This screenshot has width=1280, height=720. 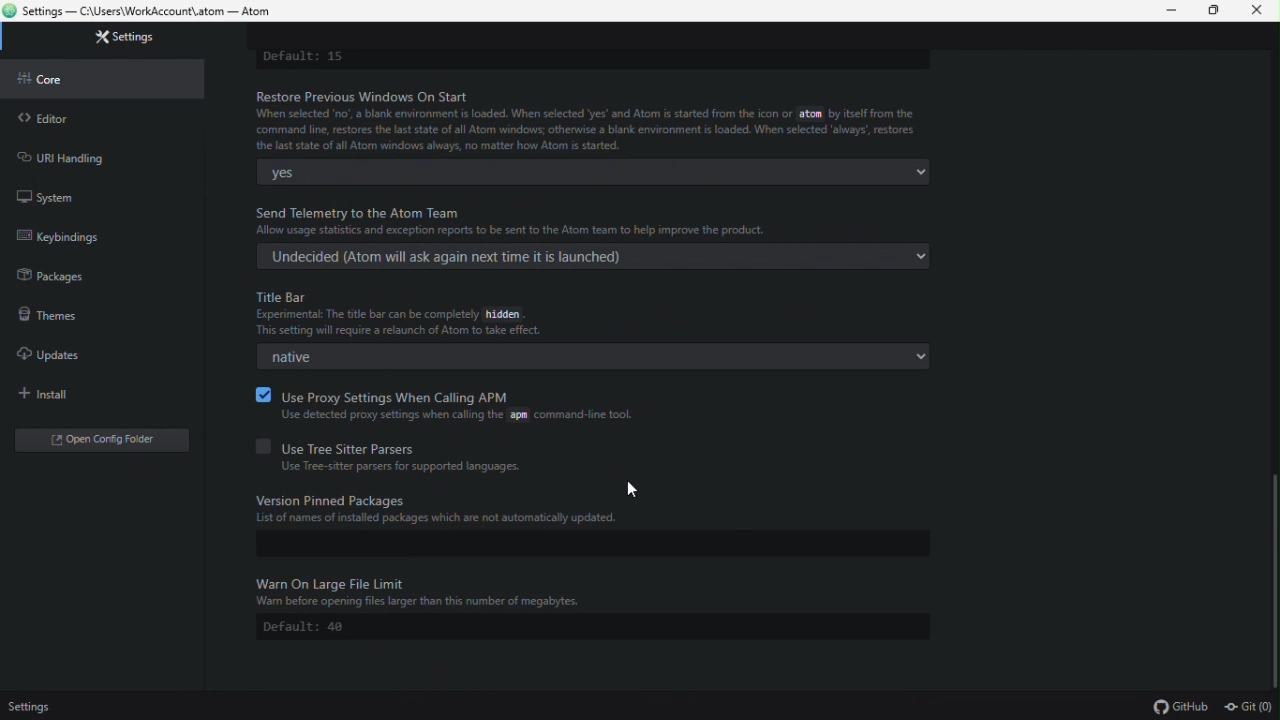 I want to click on packages, so click(x=53, y=276).